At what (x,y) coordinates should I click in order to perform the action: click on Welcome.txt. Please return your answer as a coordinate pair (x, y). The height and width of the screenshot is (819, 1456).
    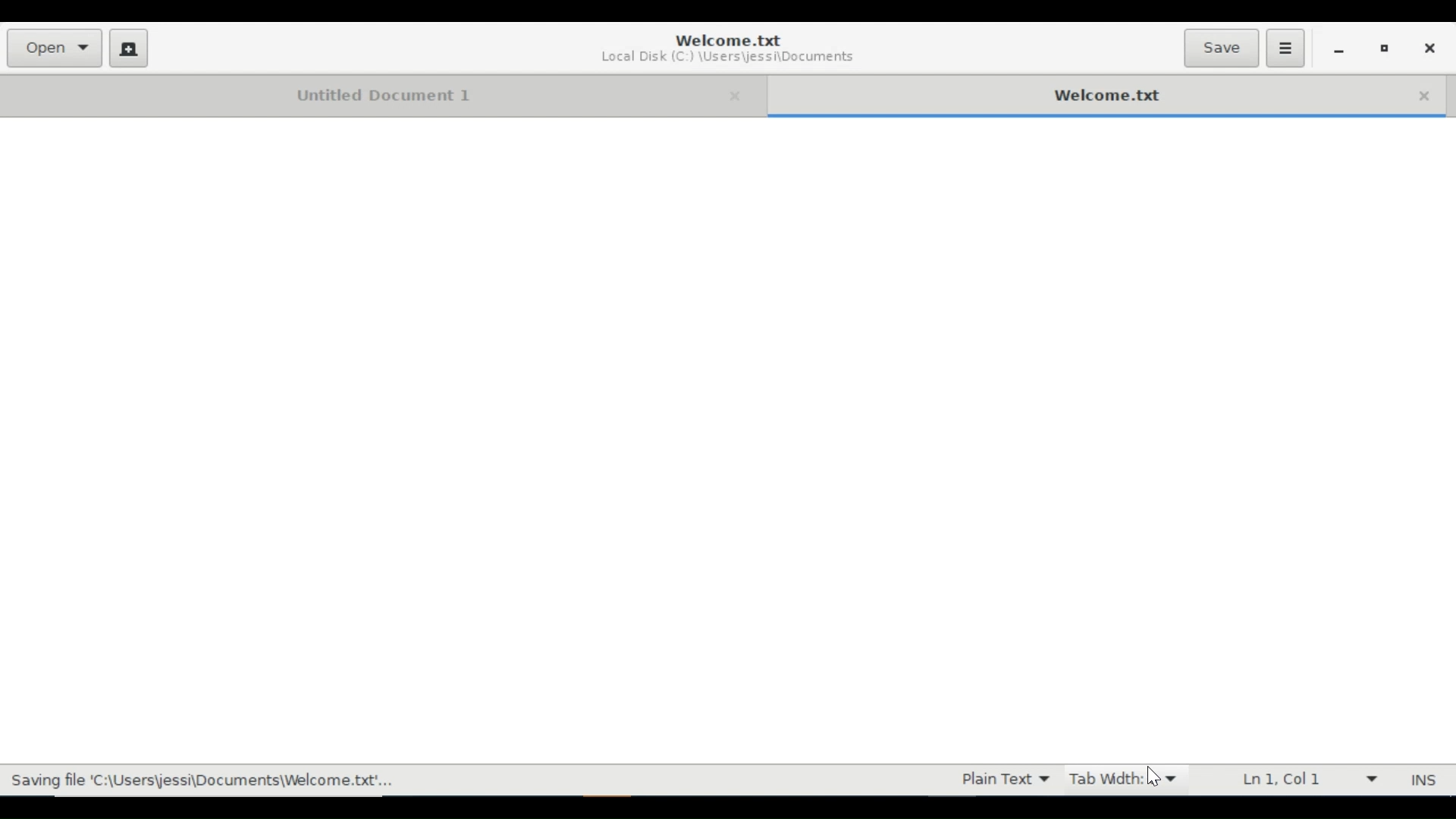
    Looking at the image, I should click on (736, 39).